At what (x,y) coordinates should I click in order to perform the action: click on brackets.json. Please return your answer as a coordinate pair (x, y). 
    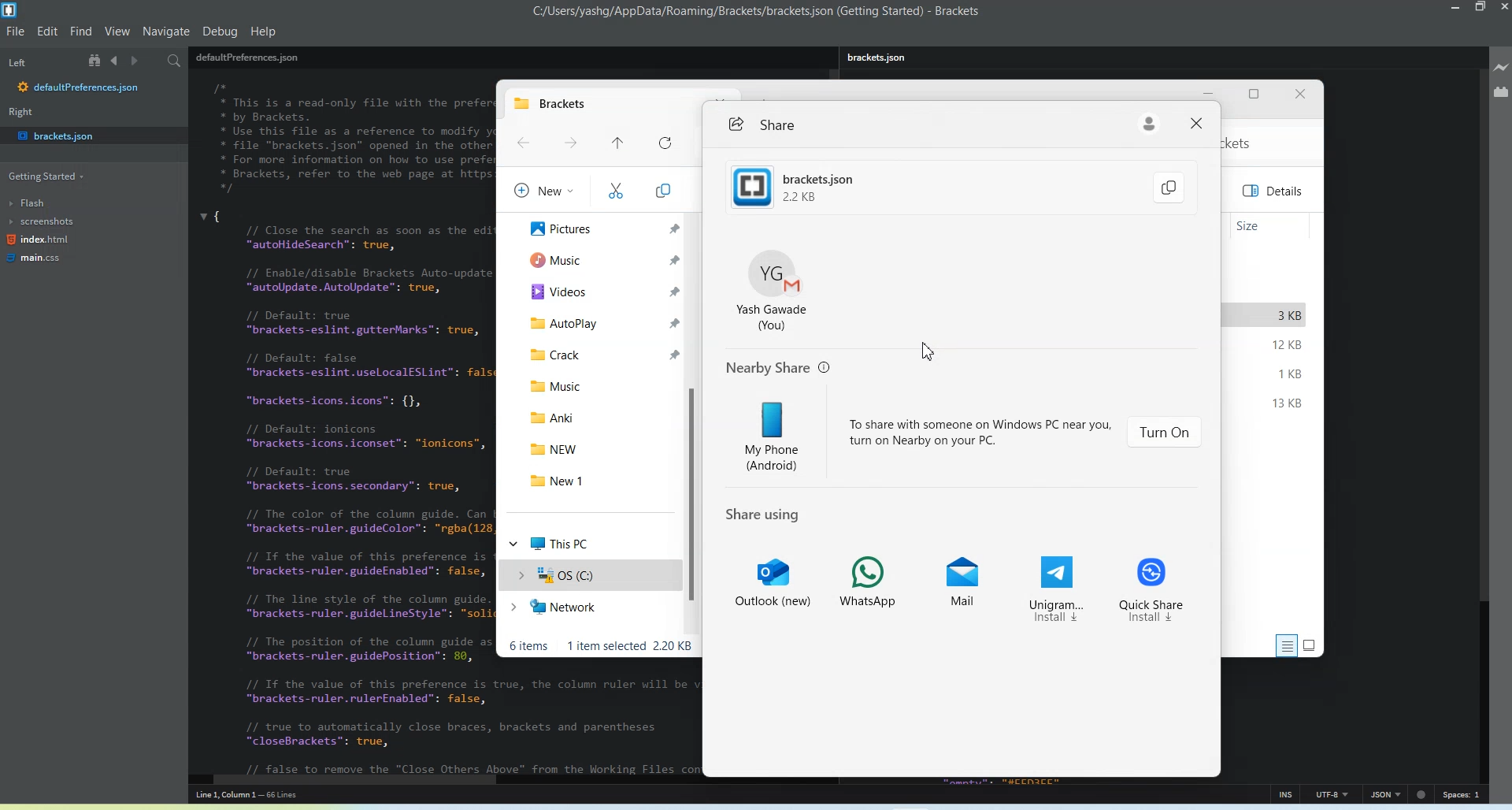
    Looking at the image, I should click on (881, 58).